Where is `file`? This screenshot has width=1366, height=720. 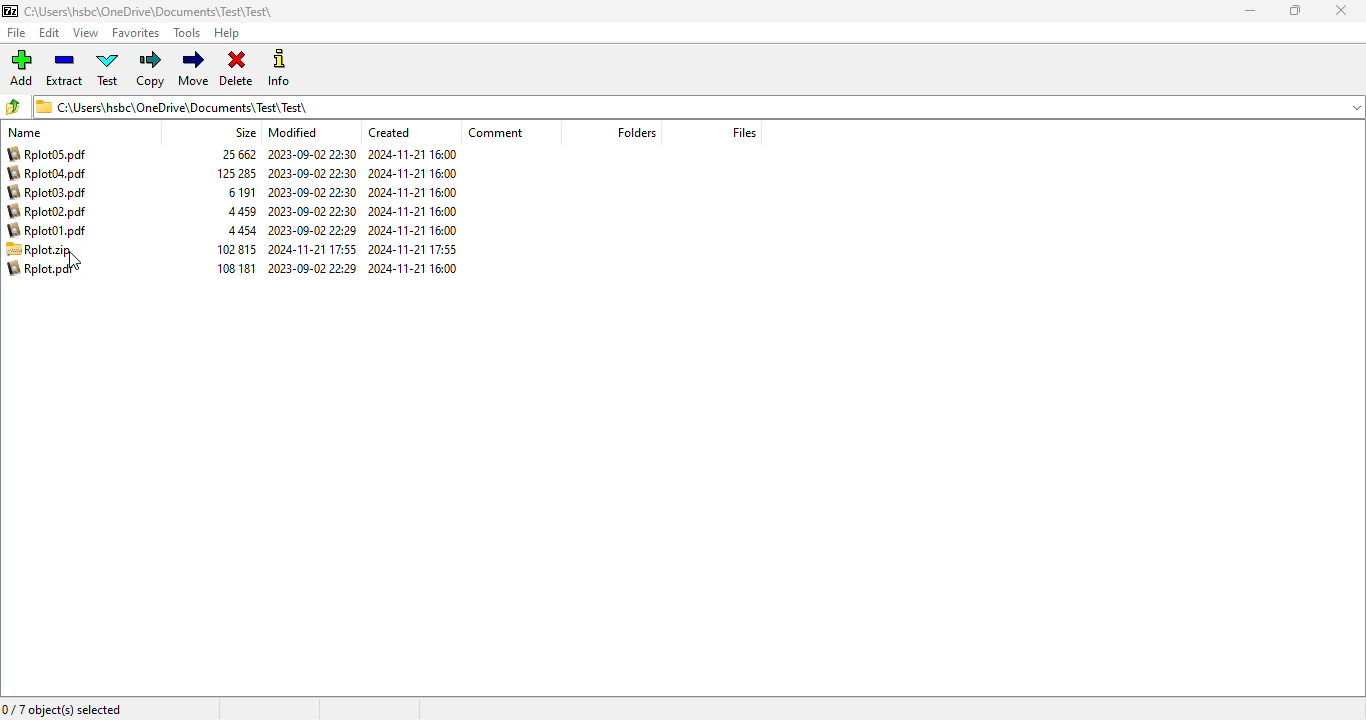
file is located at coordinates (17, 33).